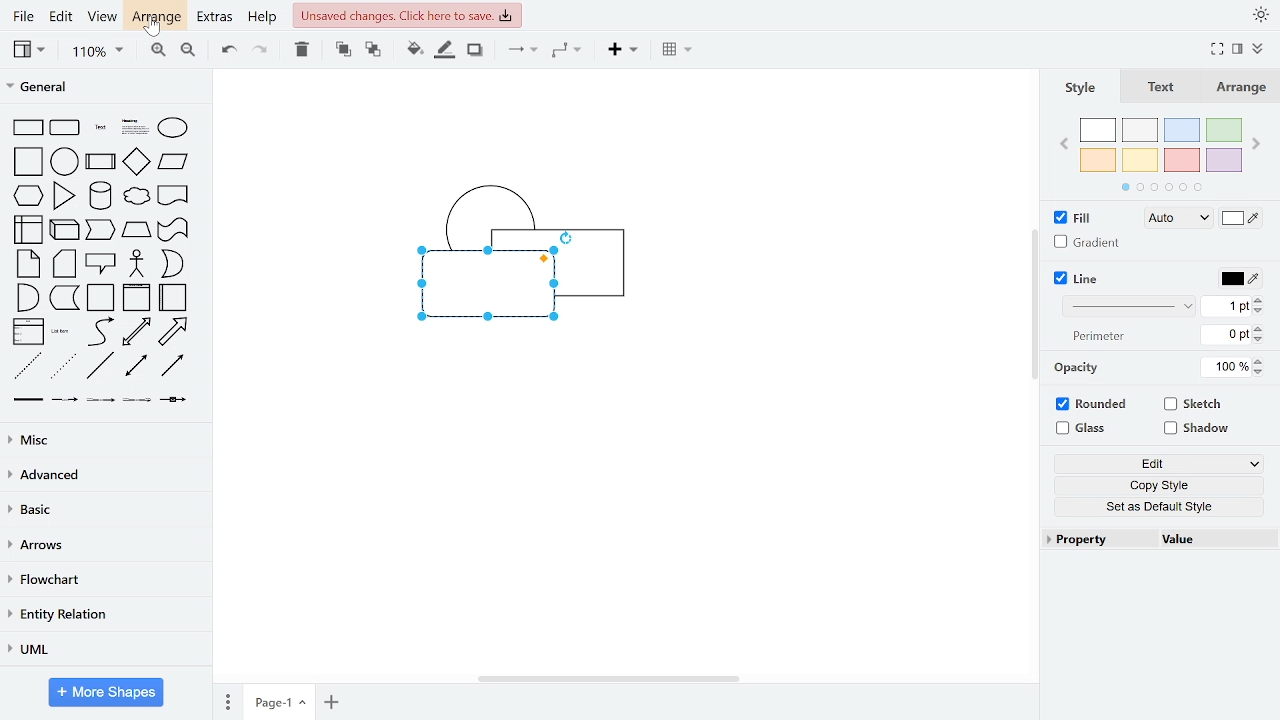 The width and height of the screenshot is (1280, 720). What do you see at coordinates (1256, 142) in the screenshot?
I see `next` at bounding box center [1256, 142].